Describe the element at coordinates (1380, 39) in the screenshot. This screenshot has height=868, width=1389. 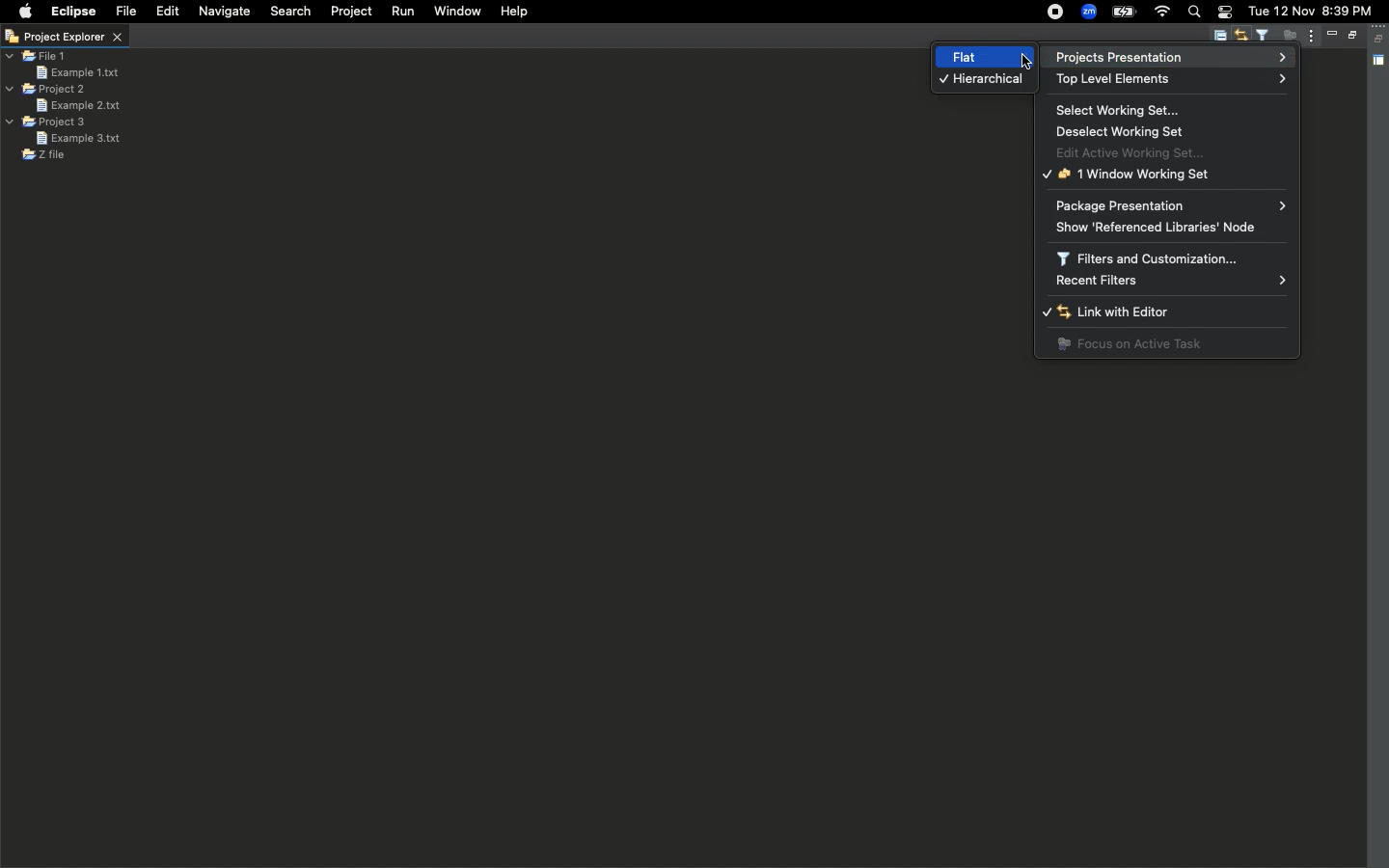
I see `Collapse all` at that location.